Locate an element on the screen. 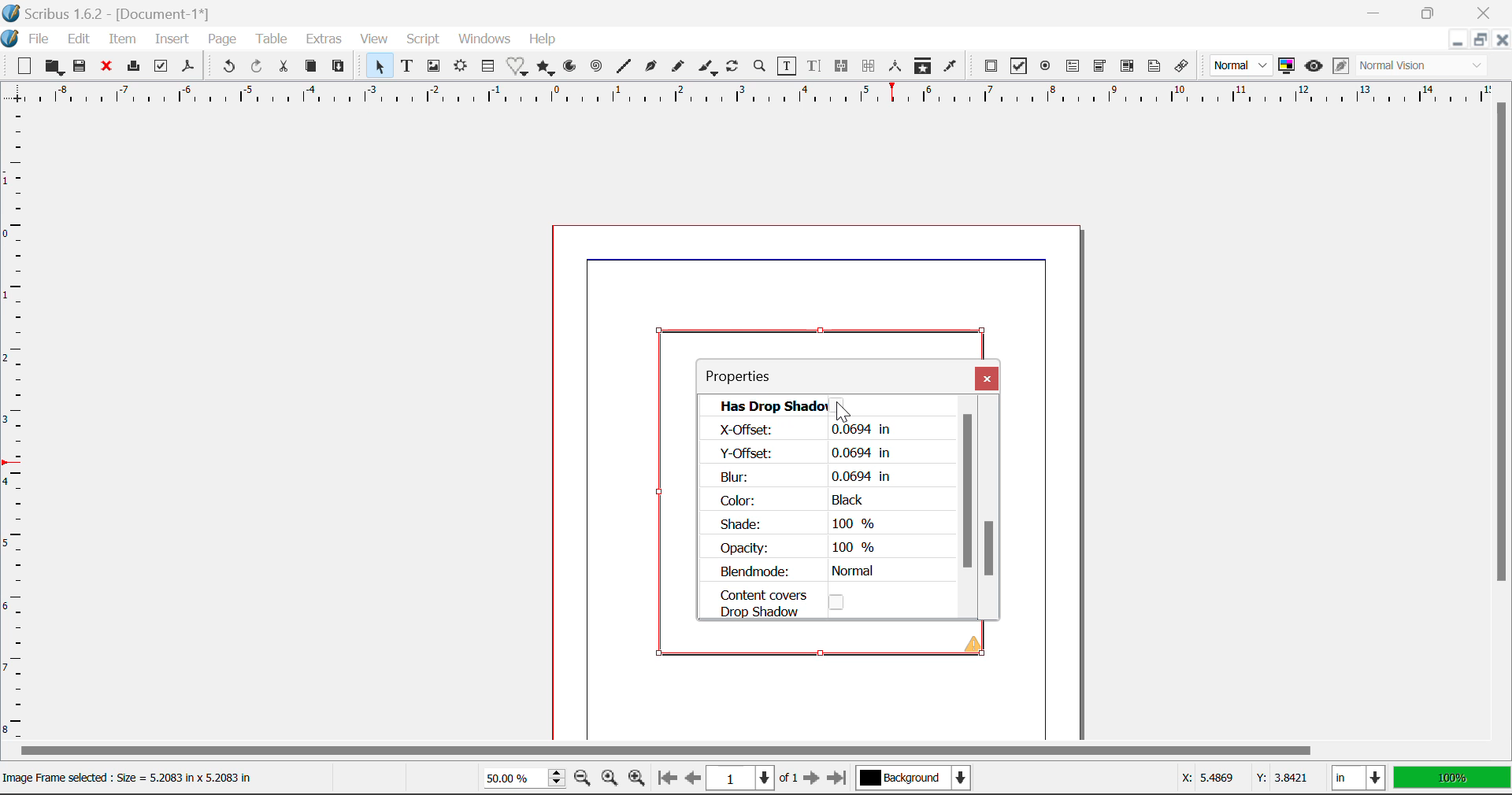 This screenshot has width=1512, height=795. Bezier Curve is located at coordinates (651, 68).